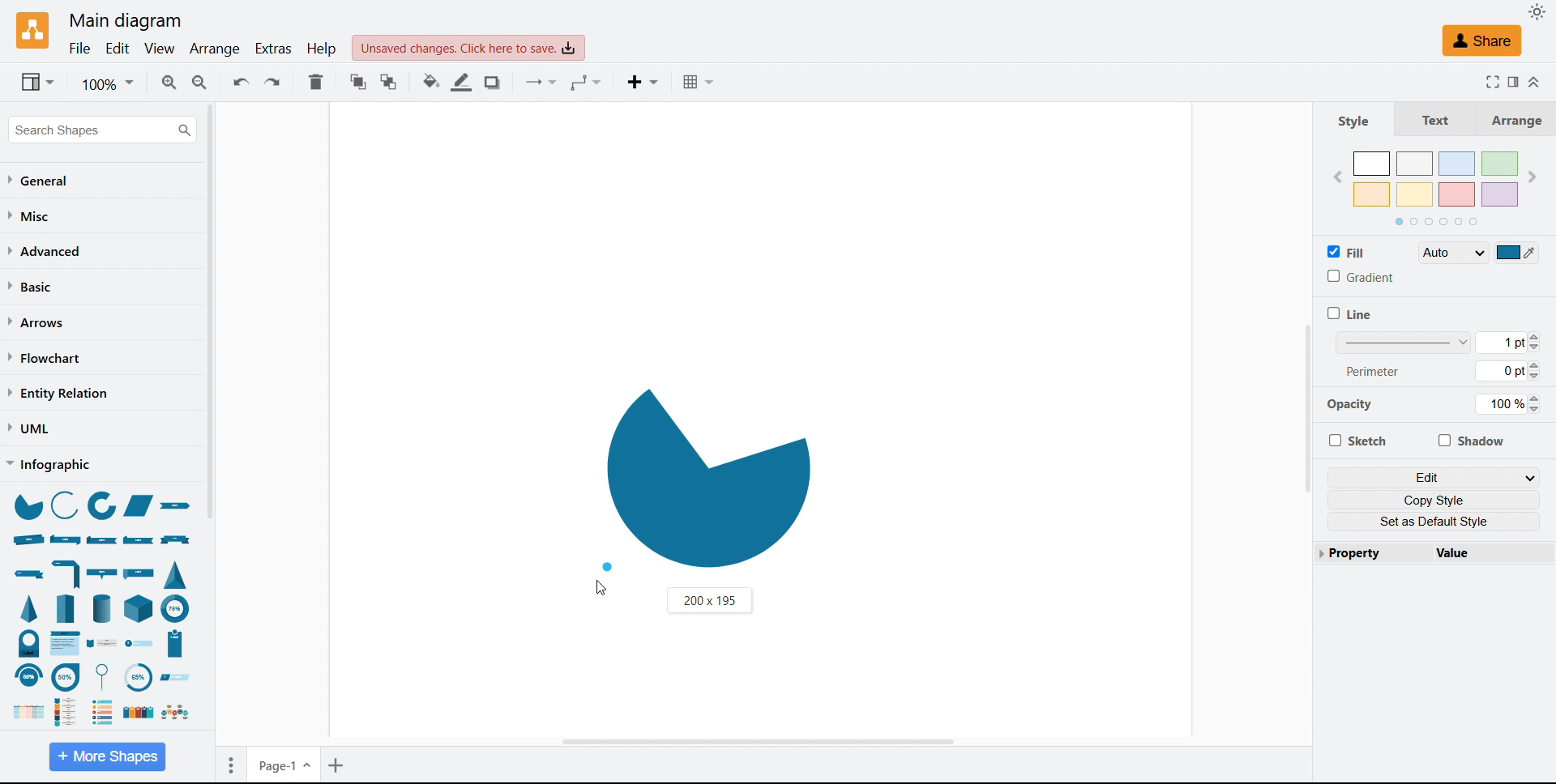 The height and width of the screenshot is (784, 1556). What do you see at coordinates (66, 643) in the screenshot?
I see `chevron list` at bounding box center [66, 643].